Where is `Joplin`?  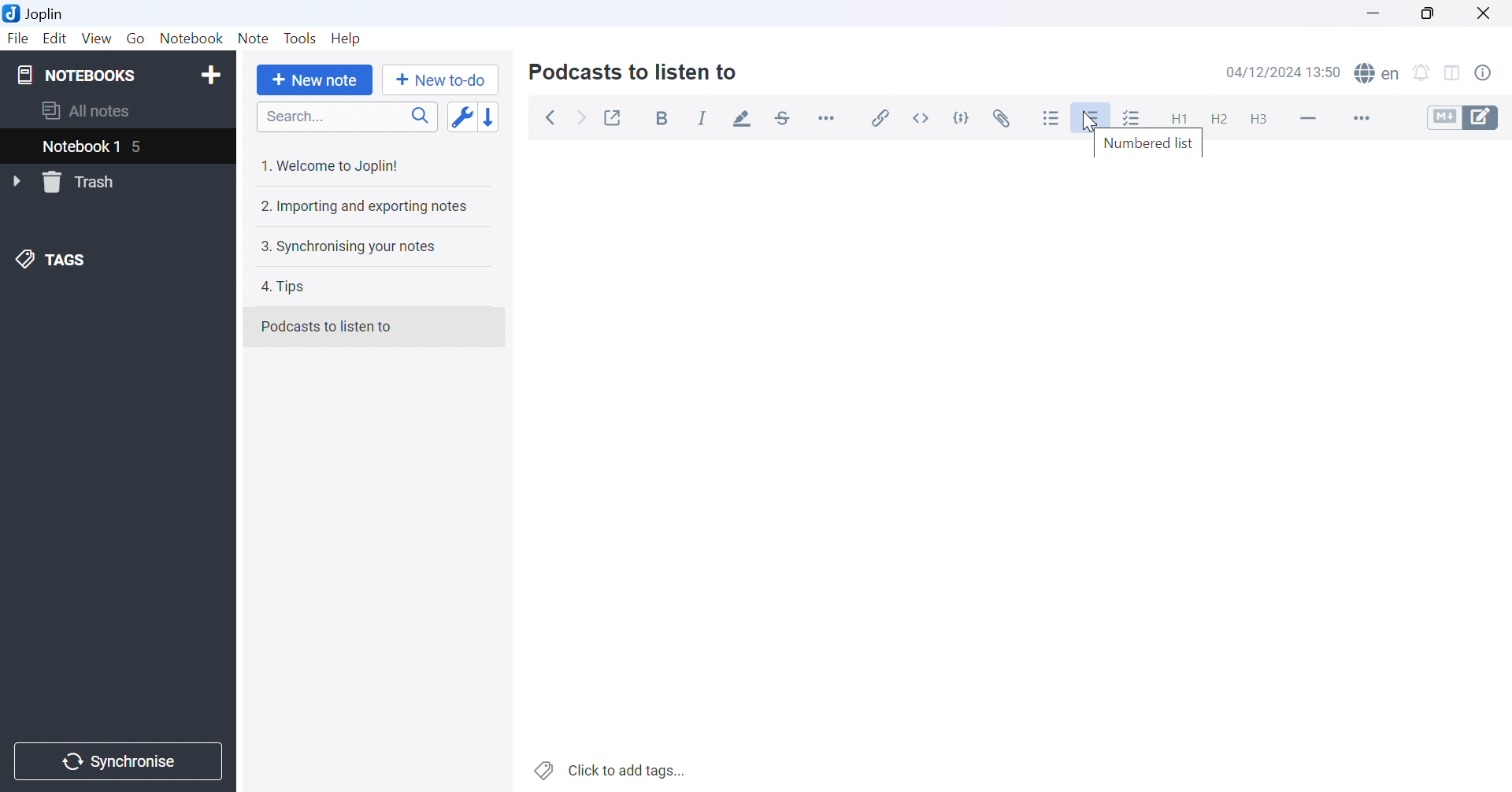
Joplin is located at coordinates (36, 13).